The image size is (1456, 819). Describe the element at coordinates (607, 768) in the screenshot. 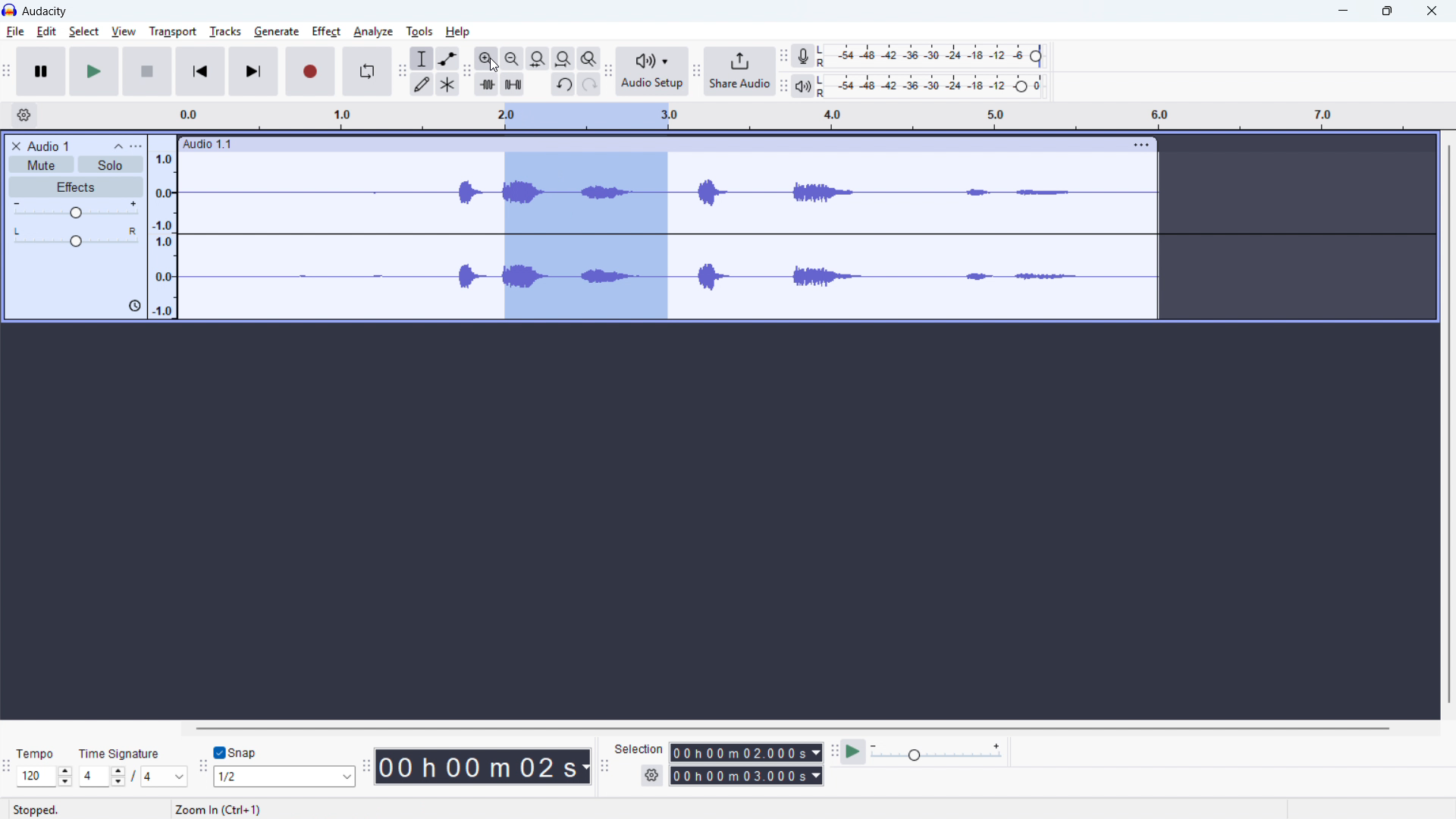

I see `Selection toolbar` at that location.